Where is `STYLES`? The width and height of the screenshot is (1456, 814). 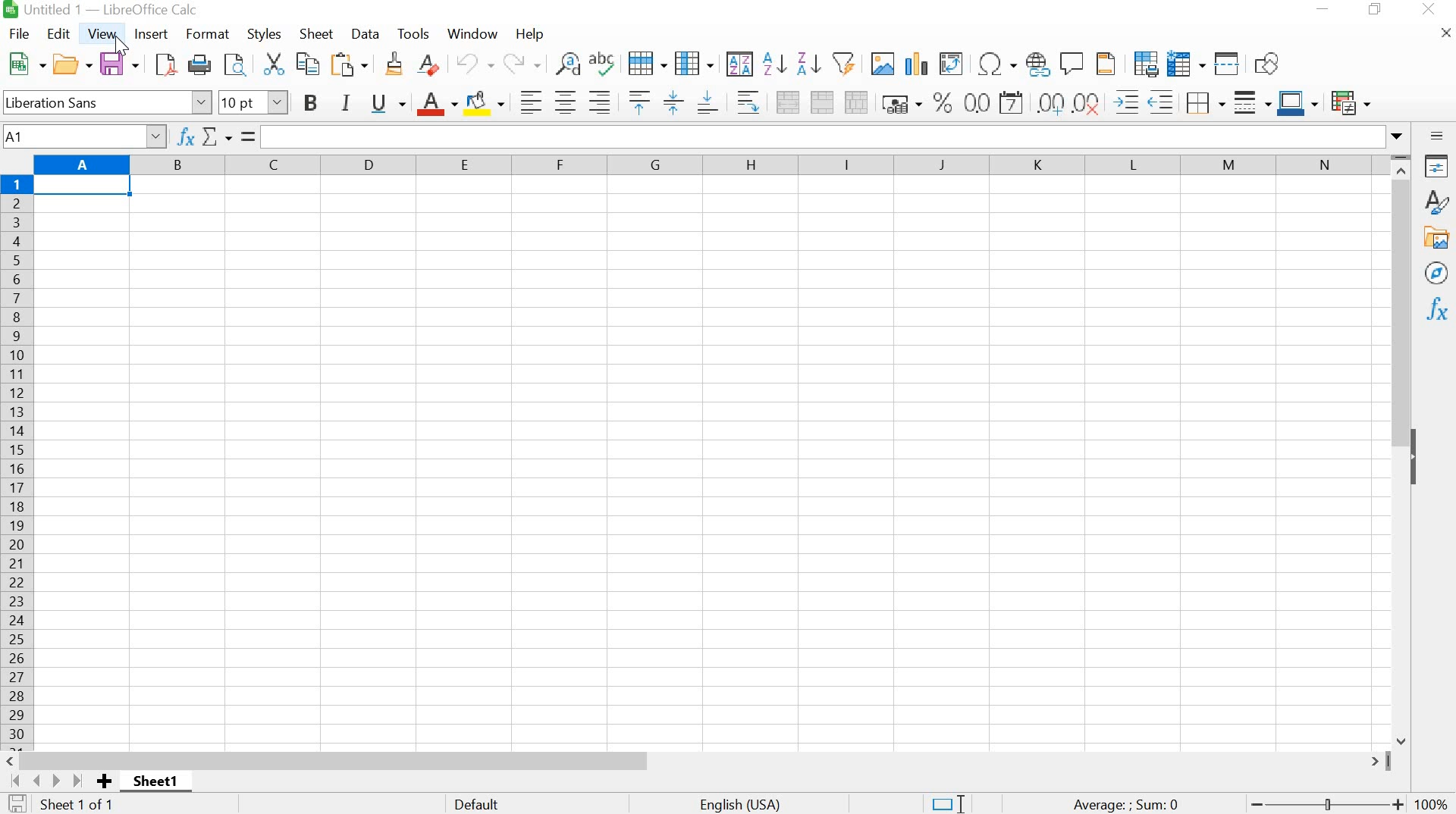
STYLES is located at coordinates (1436, 202).